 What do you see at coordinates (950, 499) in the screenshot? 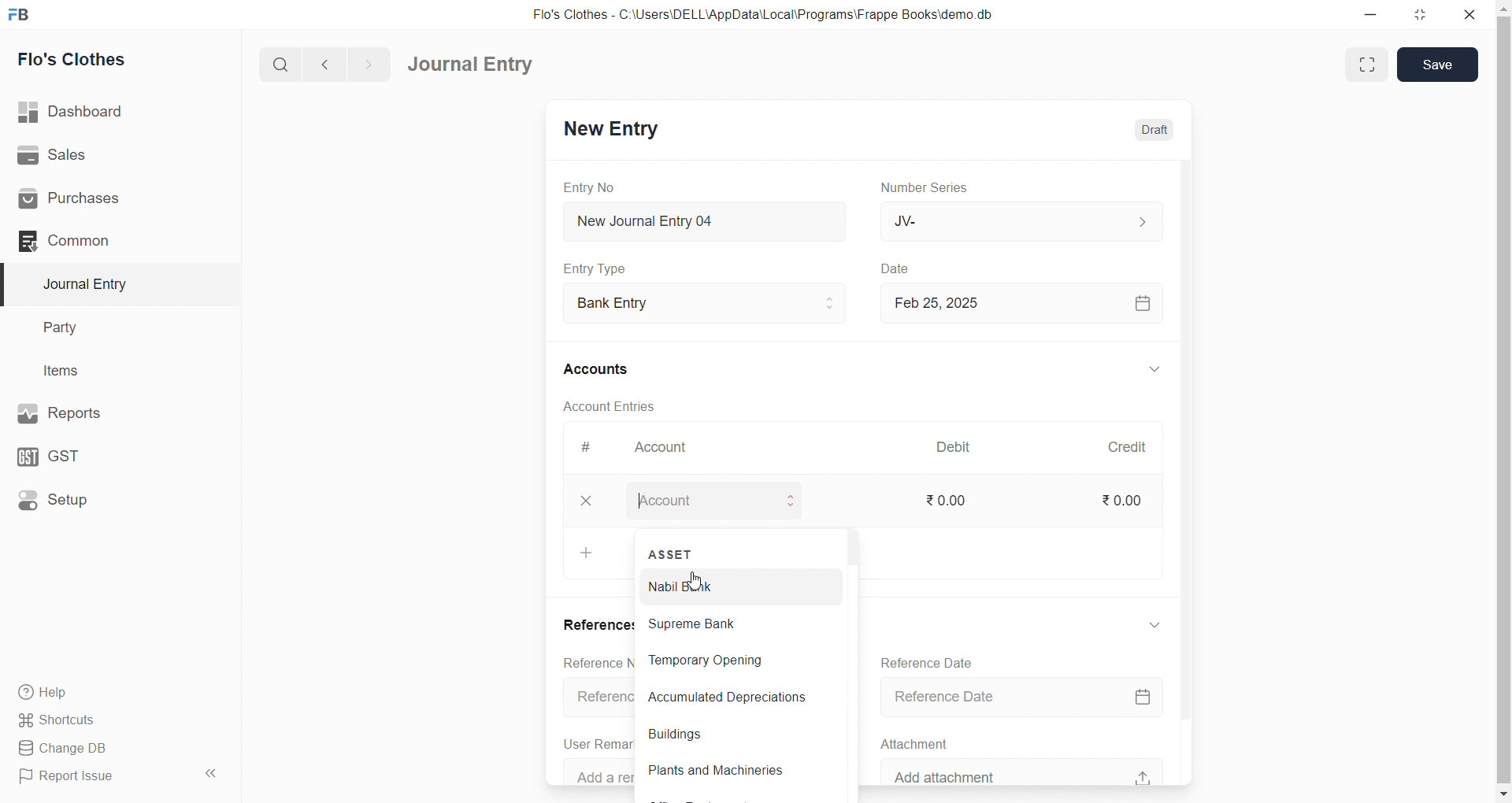
I see `₹ 0.00` at bounding box center [950, 499].